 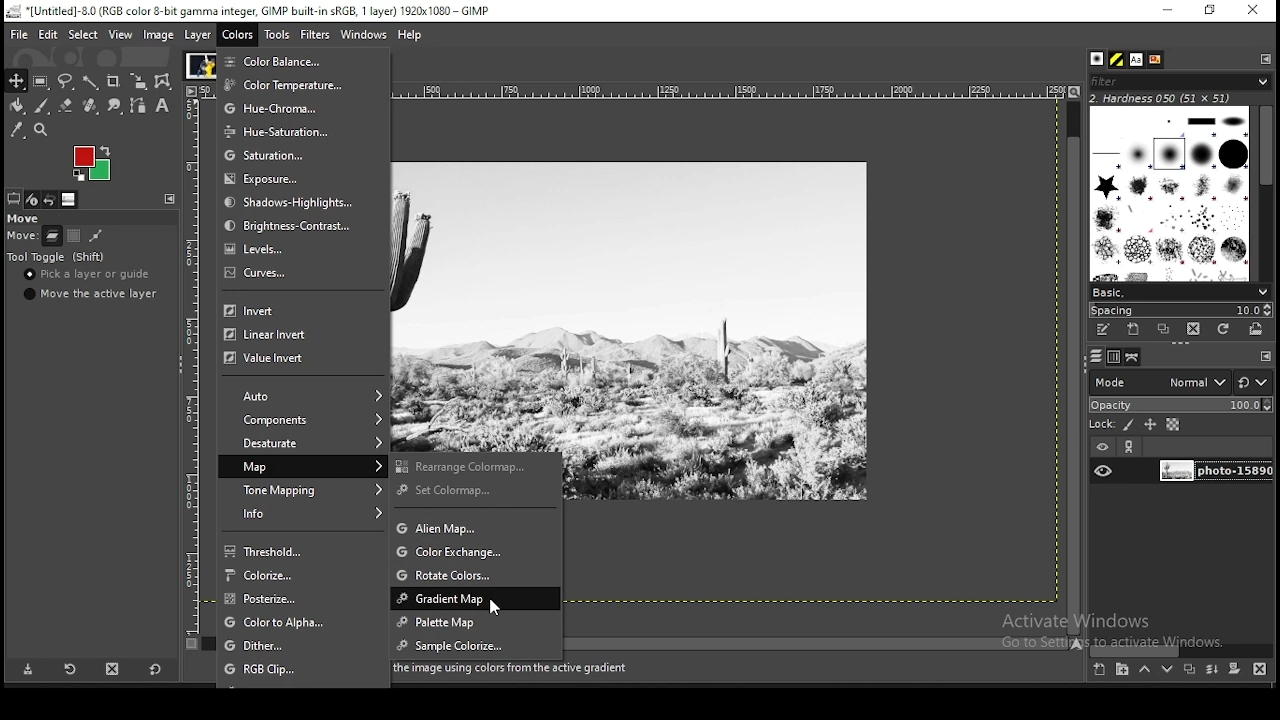 What do you see at coordinates (72, 668) in the screenshot?
I see `reload tool preset` at bounding box center [72, 668].